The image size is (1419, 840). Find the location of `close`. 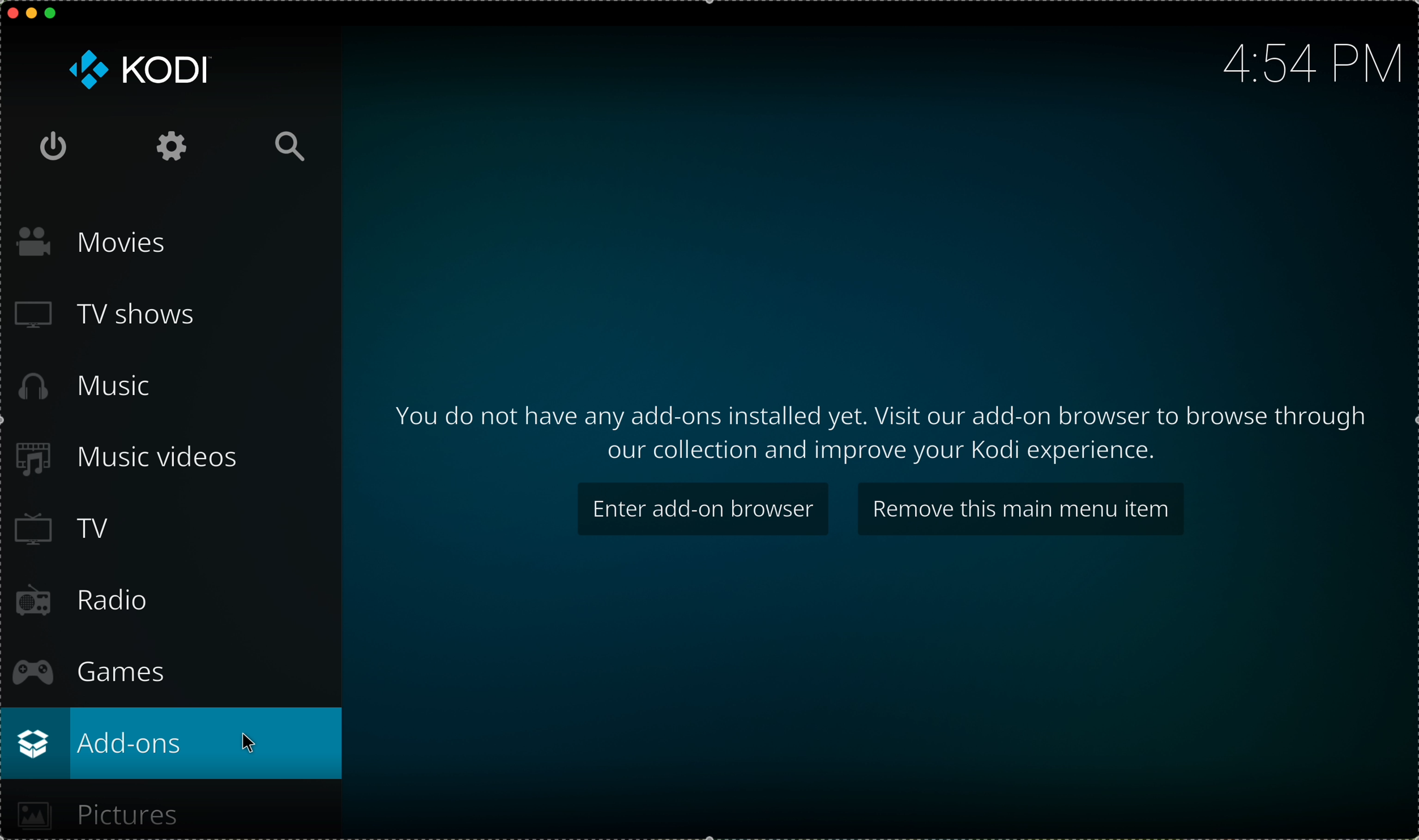

close is located at coordinates (9, 13).